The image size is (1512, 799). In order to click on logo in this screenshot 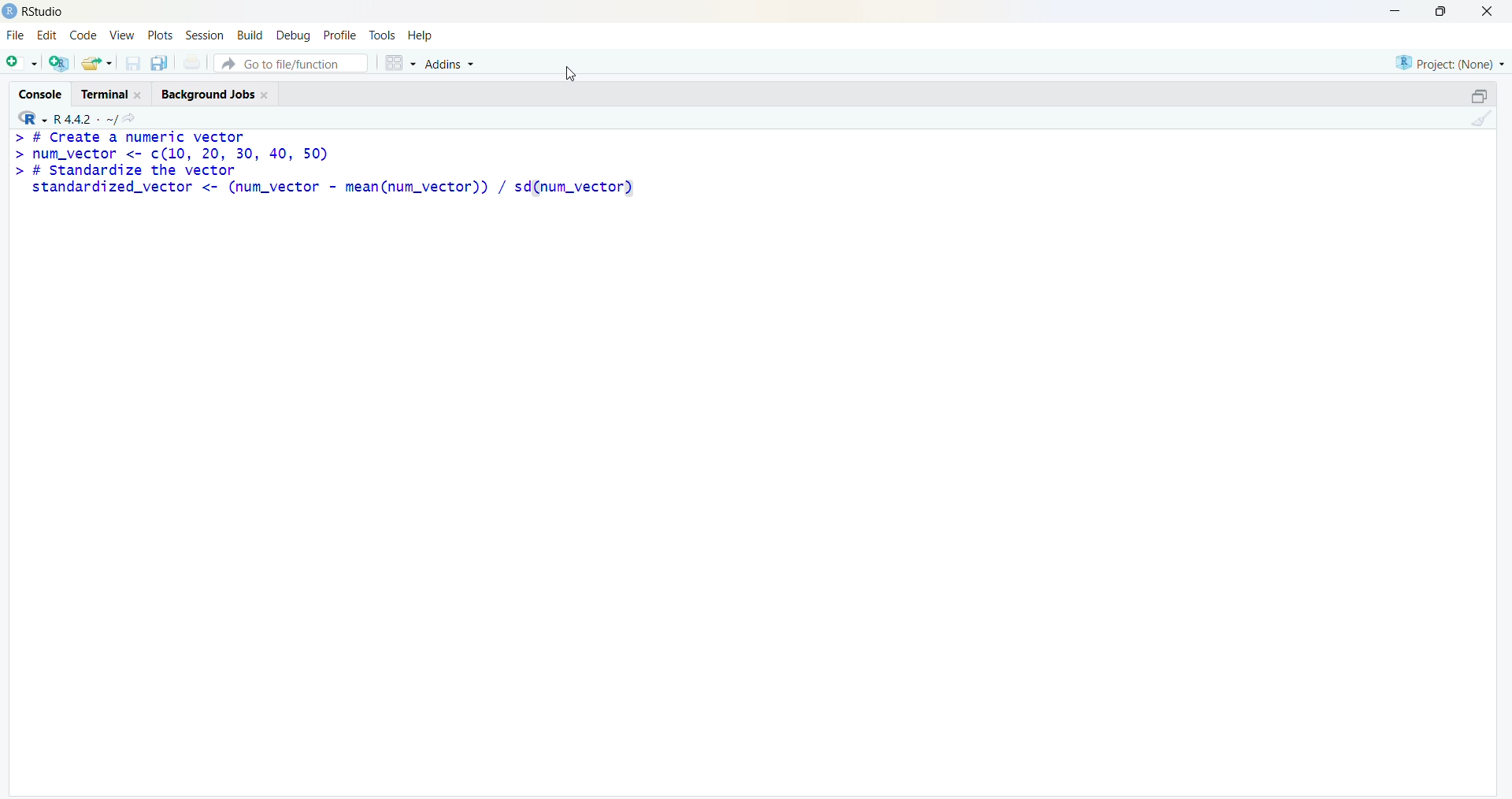, I will do `click(11, 12)`.